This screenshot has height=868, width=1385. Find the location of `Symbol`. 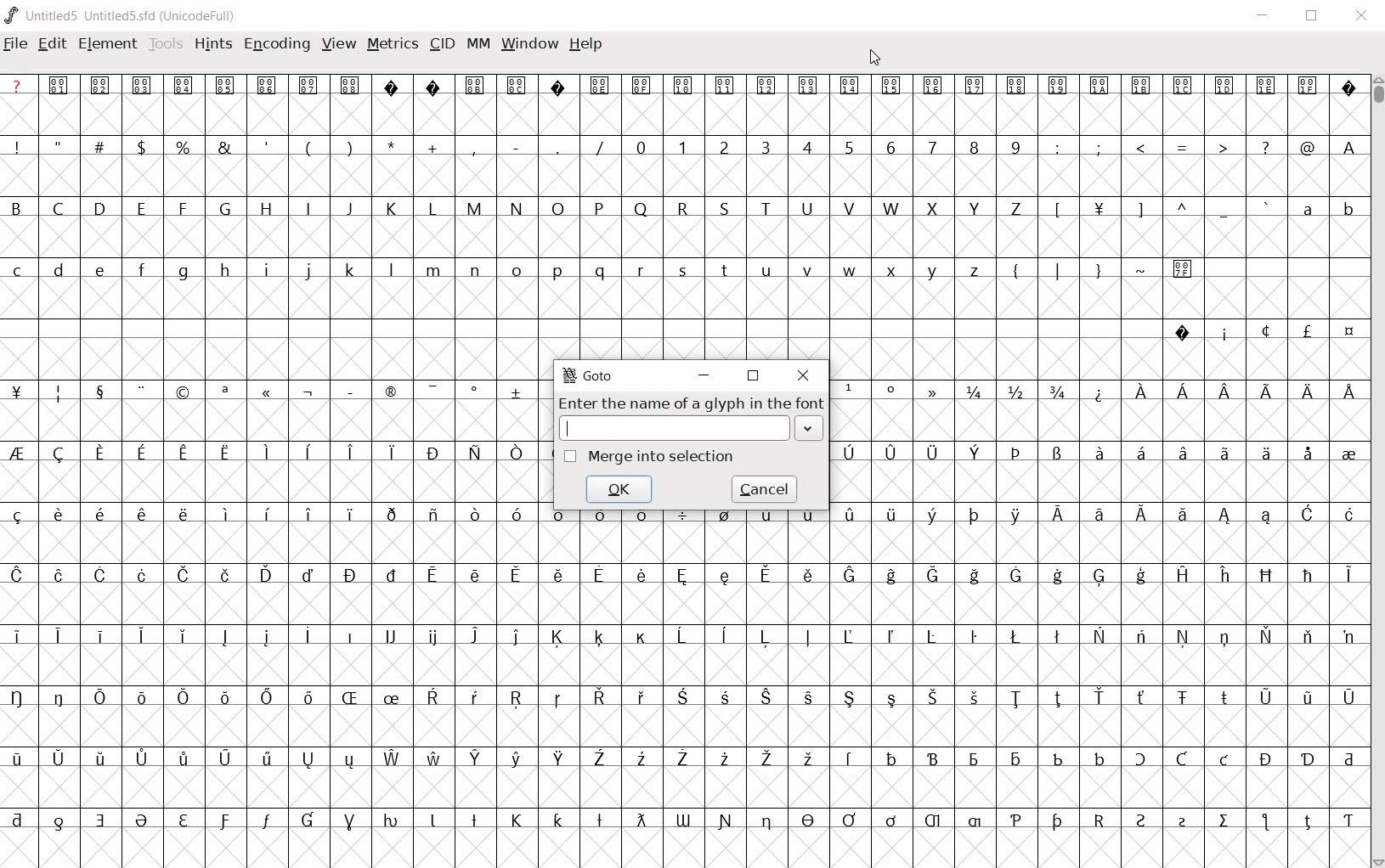

Symbol is located at coordinates (59, 757).